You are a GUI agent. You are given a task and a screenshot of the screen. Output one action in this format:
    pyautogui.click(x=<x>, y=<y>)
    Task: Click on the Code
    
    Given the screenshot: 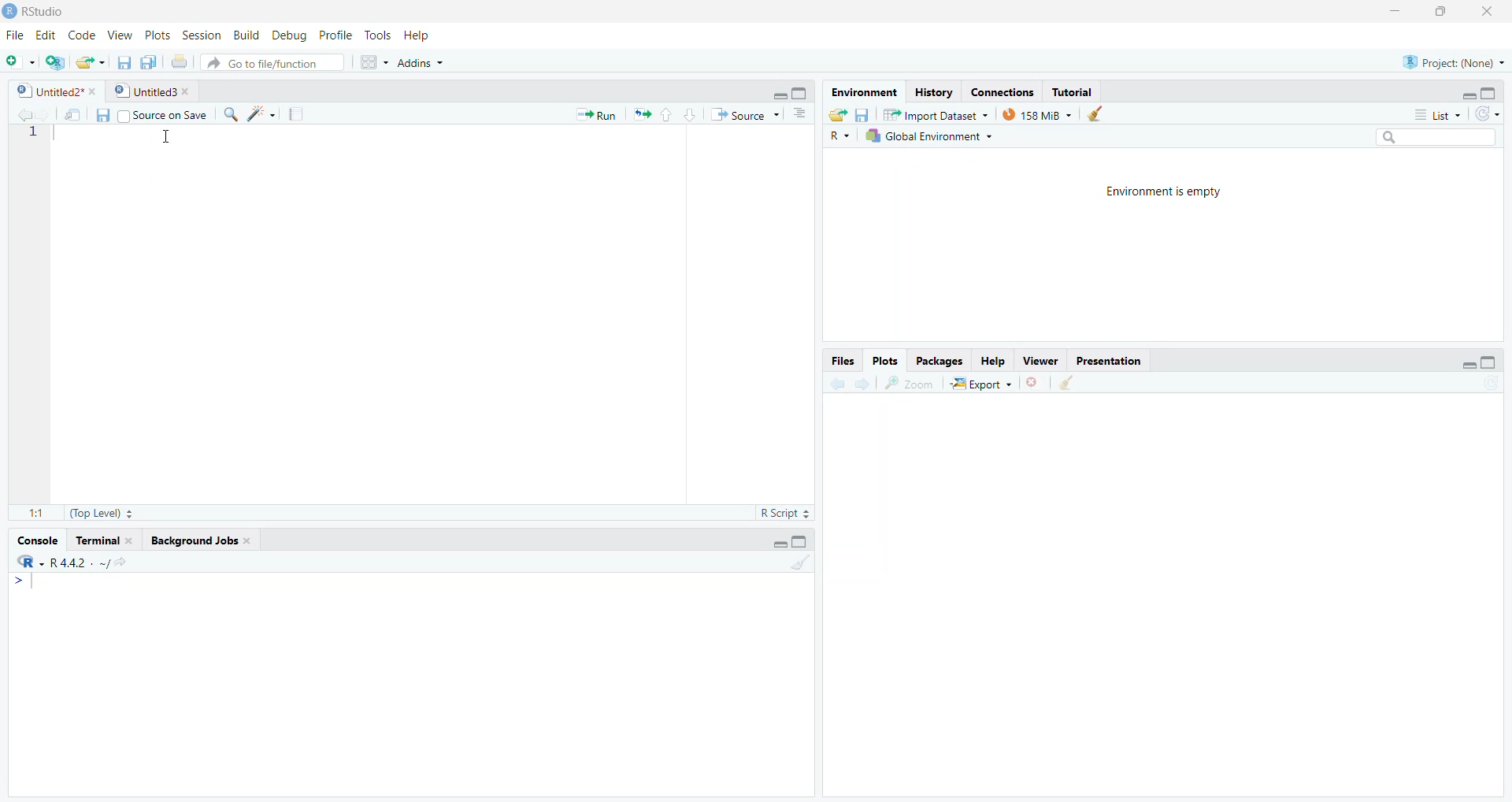 What is the action you would take?
    pyautogui.click(x=83, y=34)
    